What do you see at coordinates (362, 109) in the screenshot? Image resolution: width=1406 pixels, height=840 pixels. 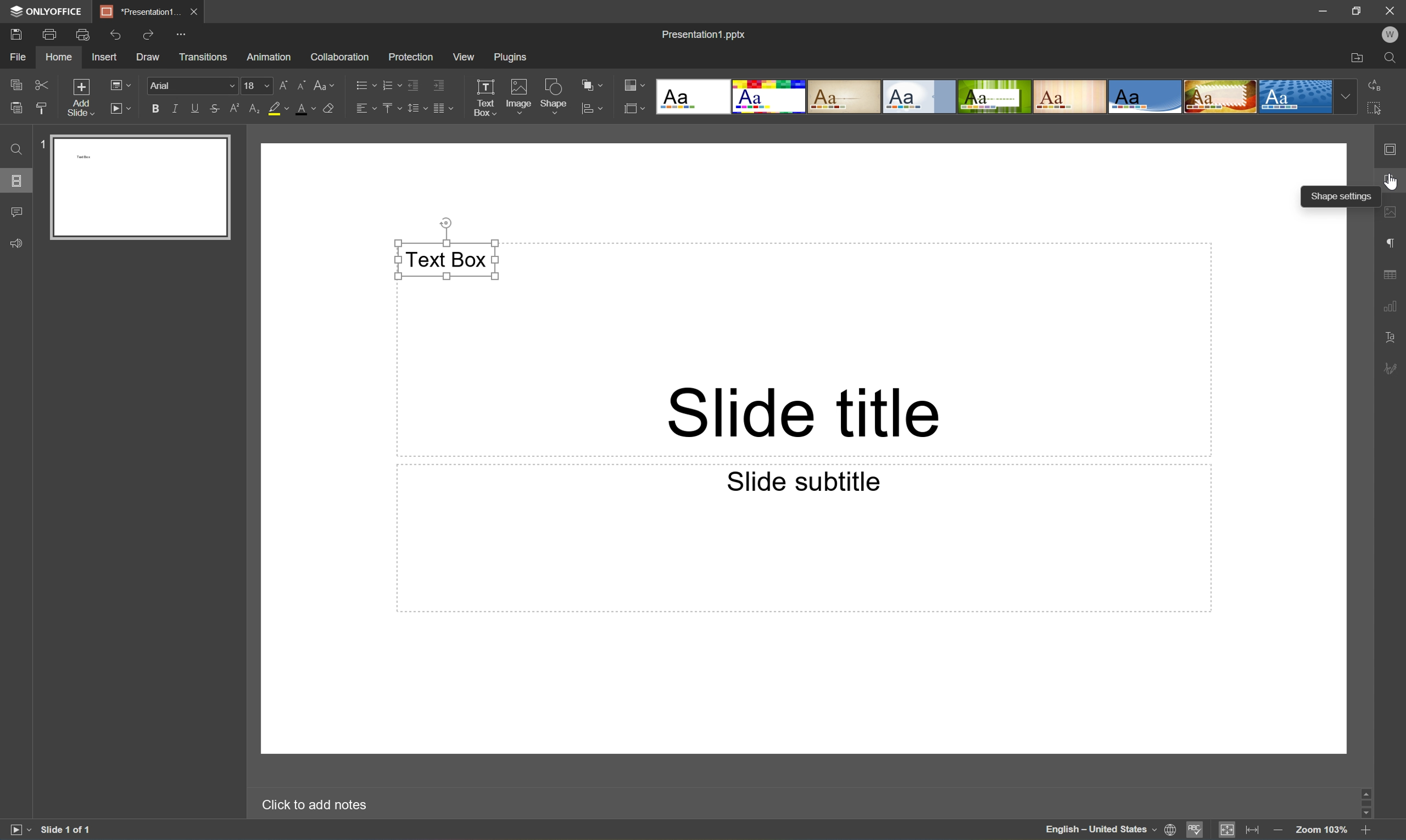 I see `Horizontally align` at bounding box center [362, 109].